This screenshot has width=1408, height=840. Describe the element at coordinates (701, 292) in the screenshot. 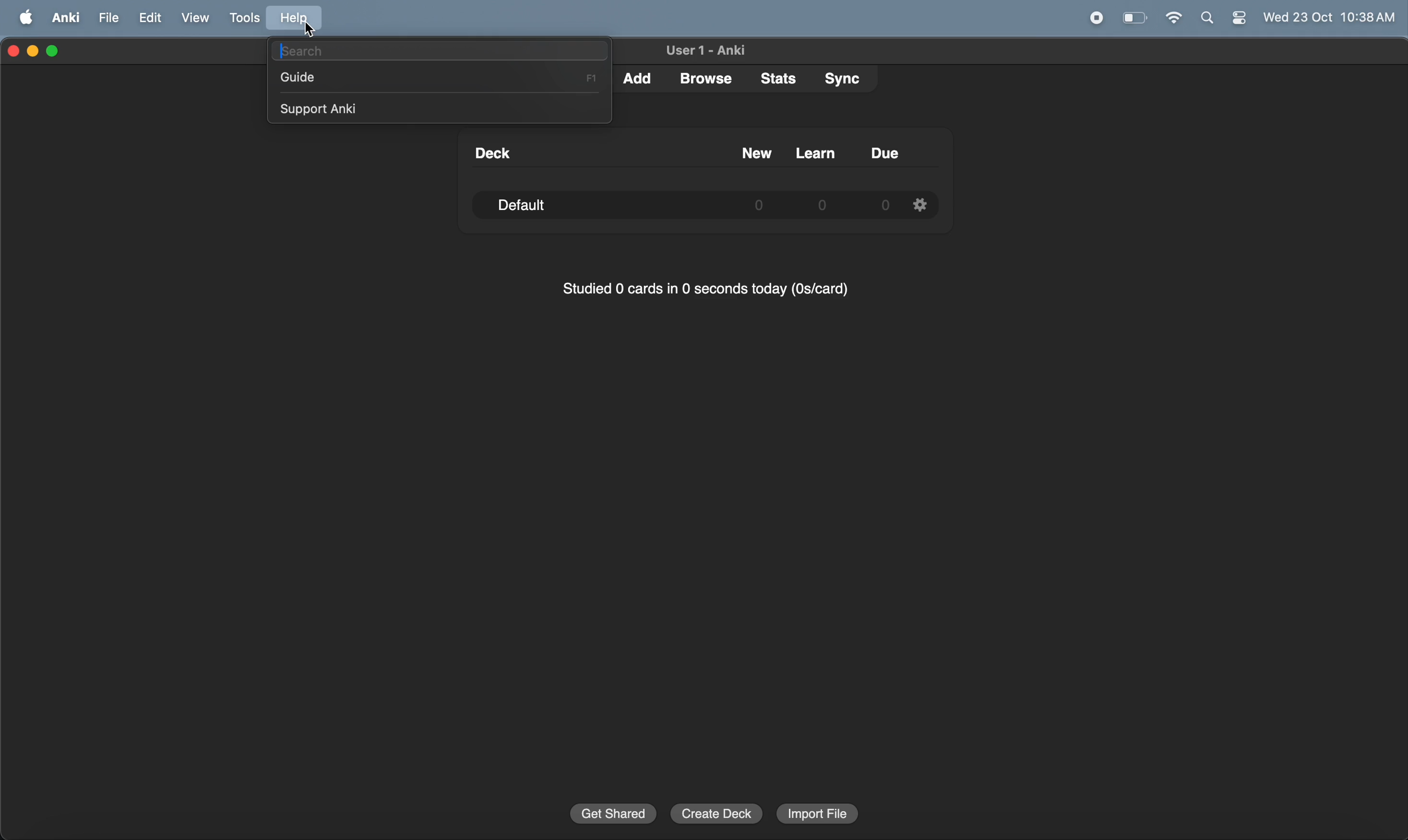

I see `studied 0 cards in 0 seconds today` at that location.